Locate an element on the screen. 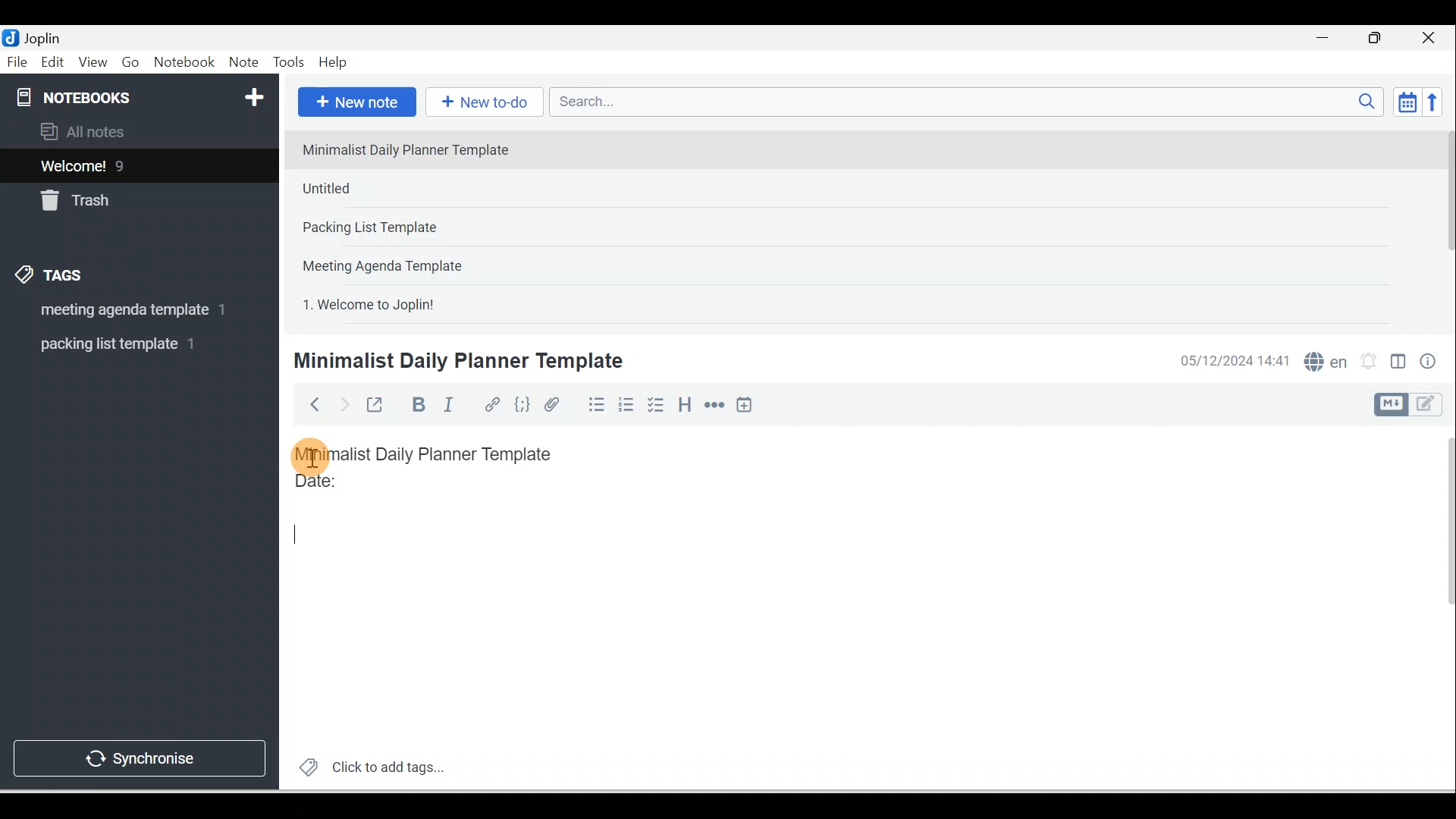 This screenshot has width=1456, height=819. Note 3 is located at coordinates (418, 228).